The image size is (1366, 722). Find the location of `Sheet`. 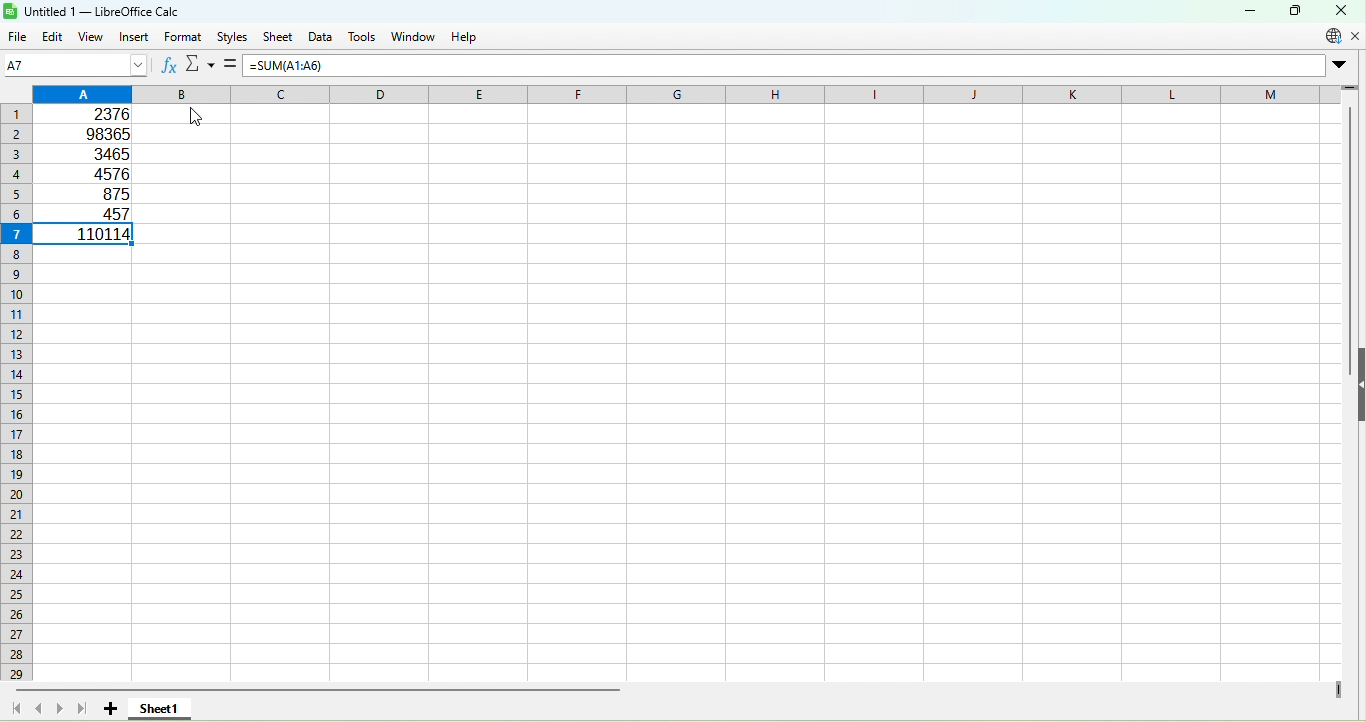

Sheet is located at coordinates (280, 39).